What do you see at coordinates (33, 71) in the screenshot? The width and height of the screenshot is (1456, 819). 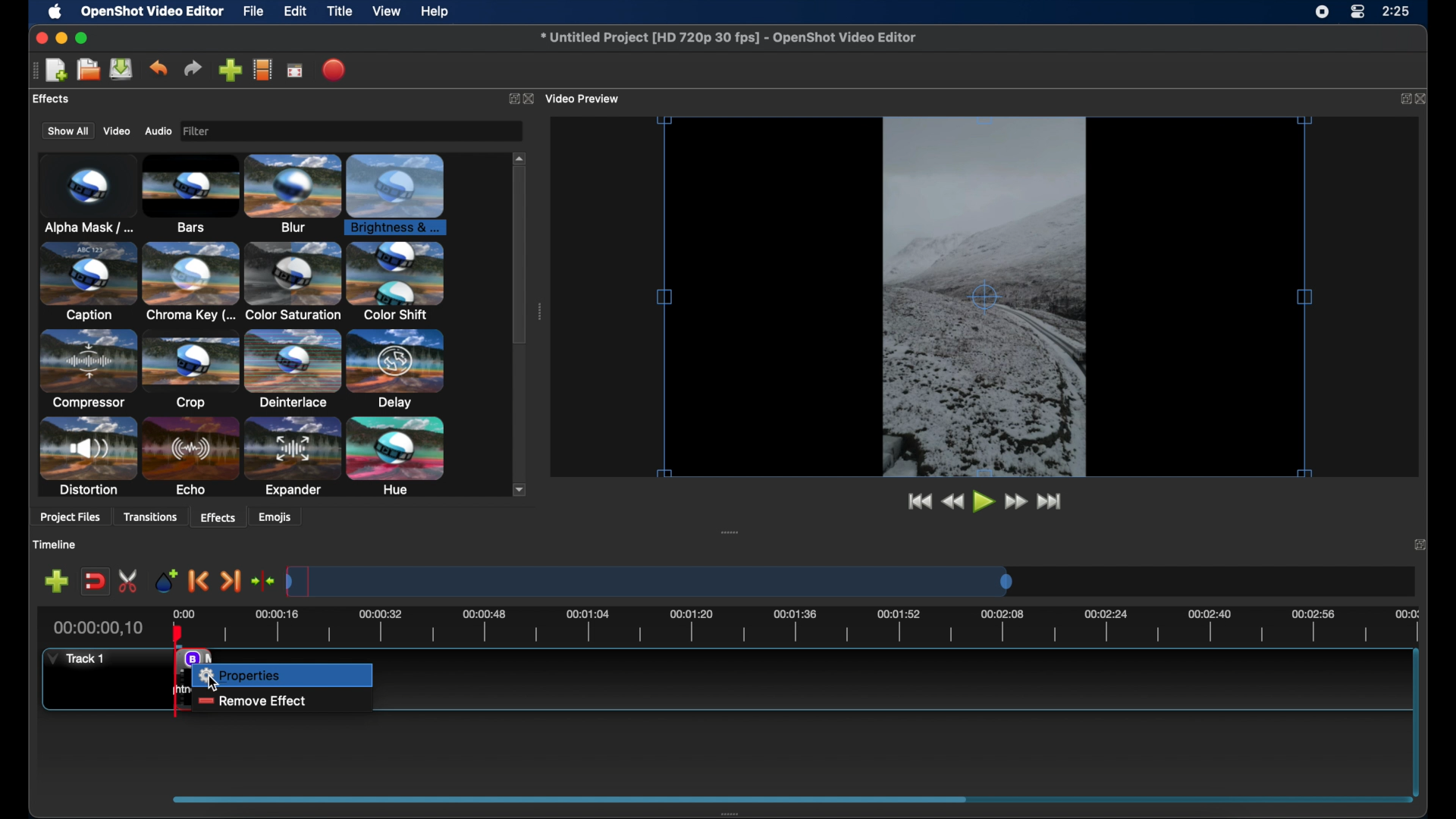 I see `drag handle` at bounding box center [33, 71].